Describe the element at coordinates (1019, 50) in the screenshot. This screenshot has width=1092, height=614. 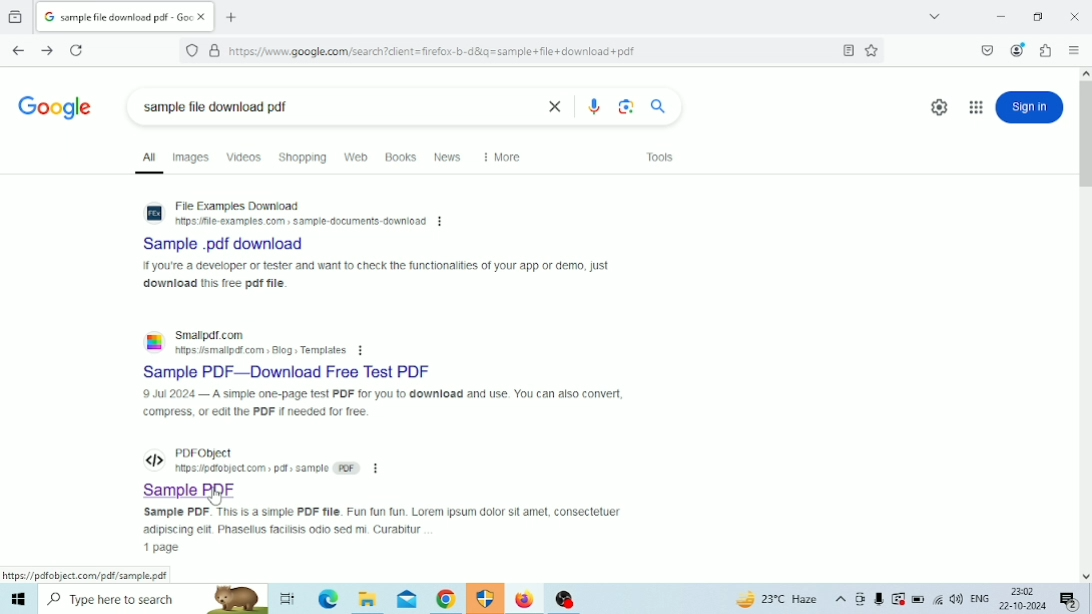
I see `Account` at that location.